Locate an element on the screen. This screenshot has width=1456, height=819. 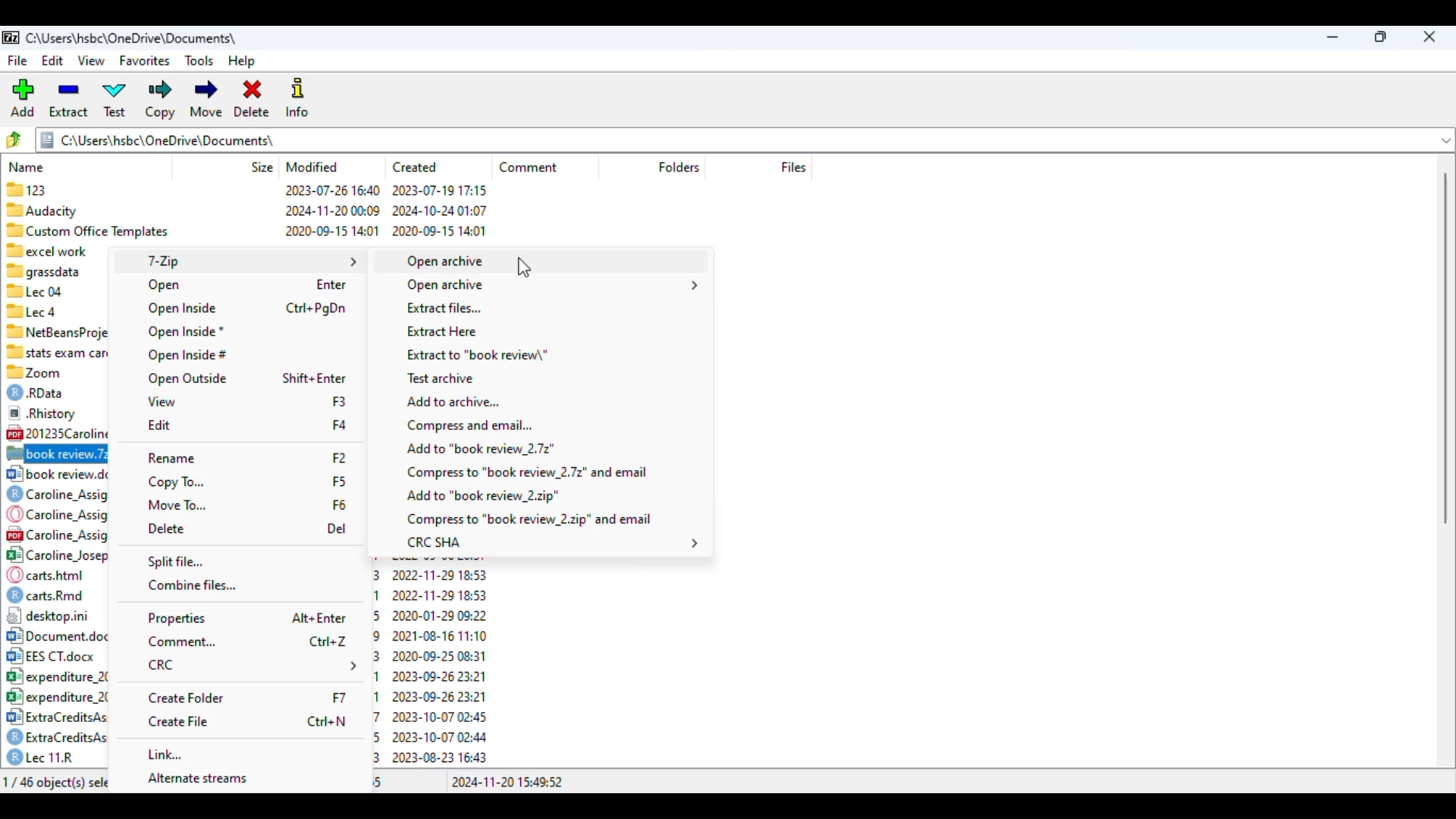
1/46 object(s) selected is located at coordinates (55, 781).